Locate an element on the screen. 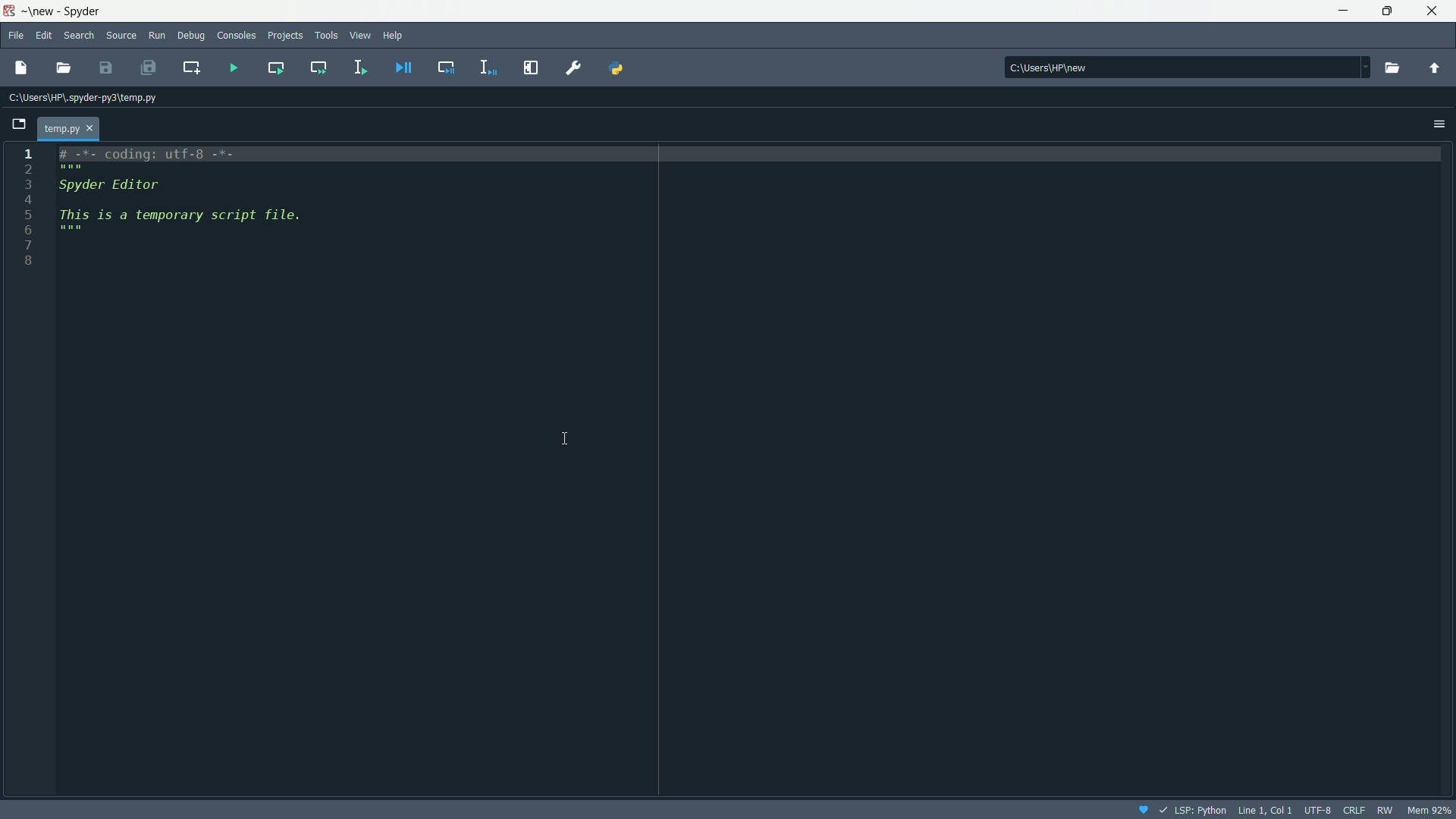 Image resolution: width=1456 pixels, height=819 pixels. Debug selection or current line is located at coordinates (485, 65).